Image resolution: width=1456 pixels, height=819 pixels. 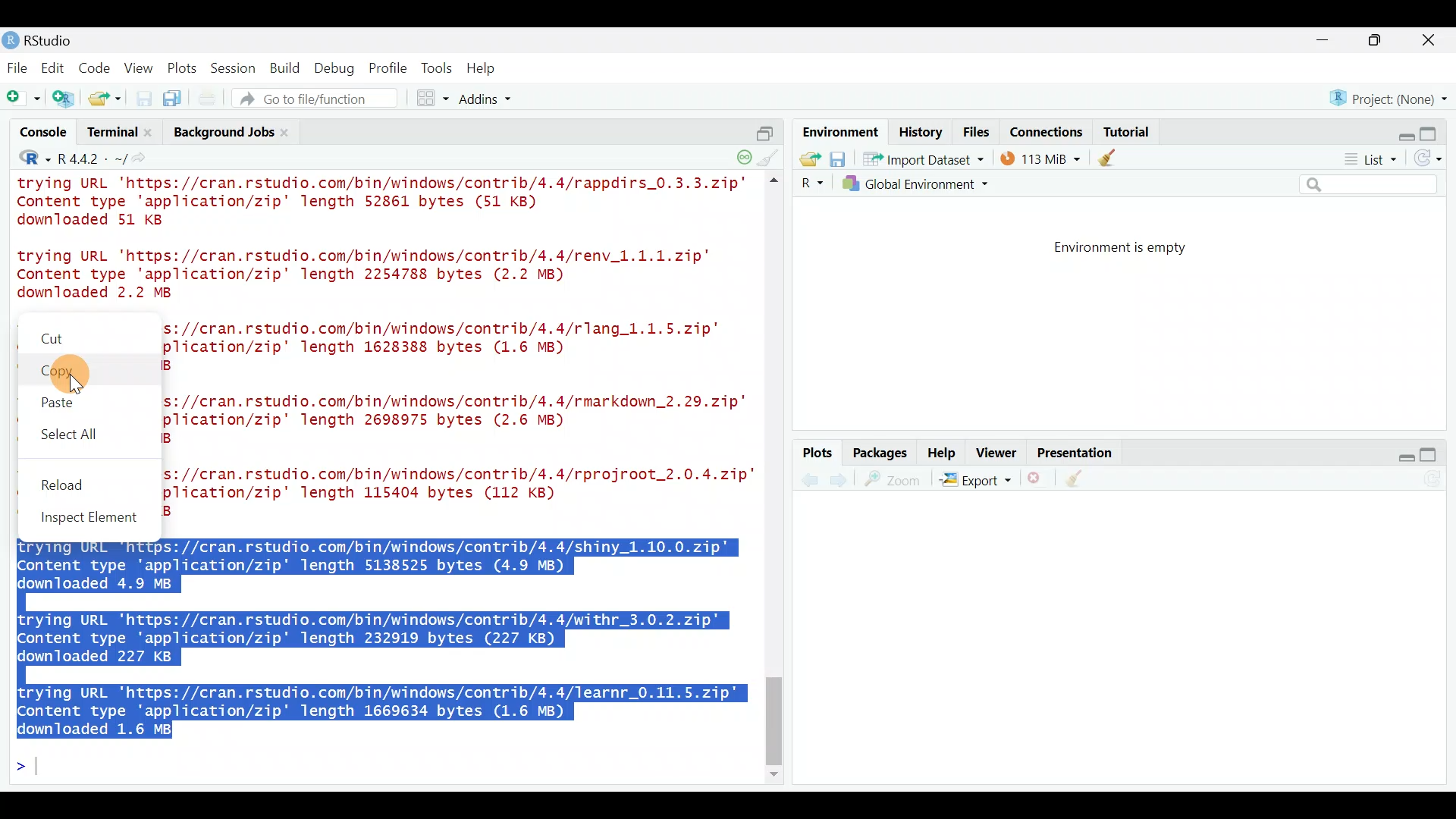 What do you see at coordinates (896, 480) in the screenshot?
I see `zoom` at bounding box center [896, 480].